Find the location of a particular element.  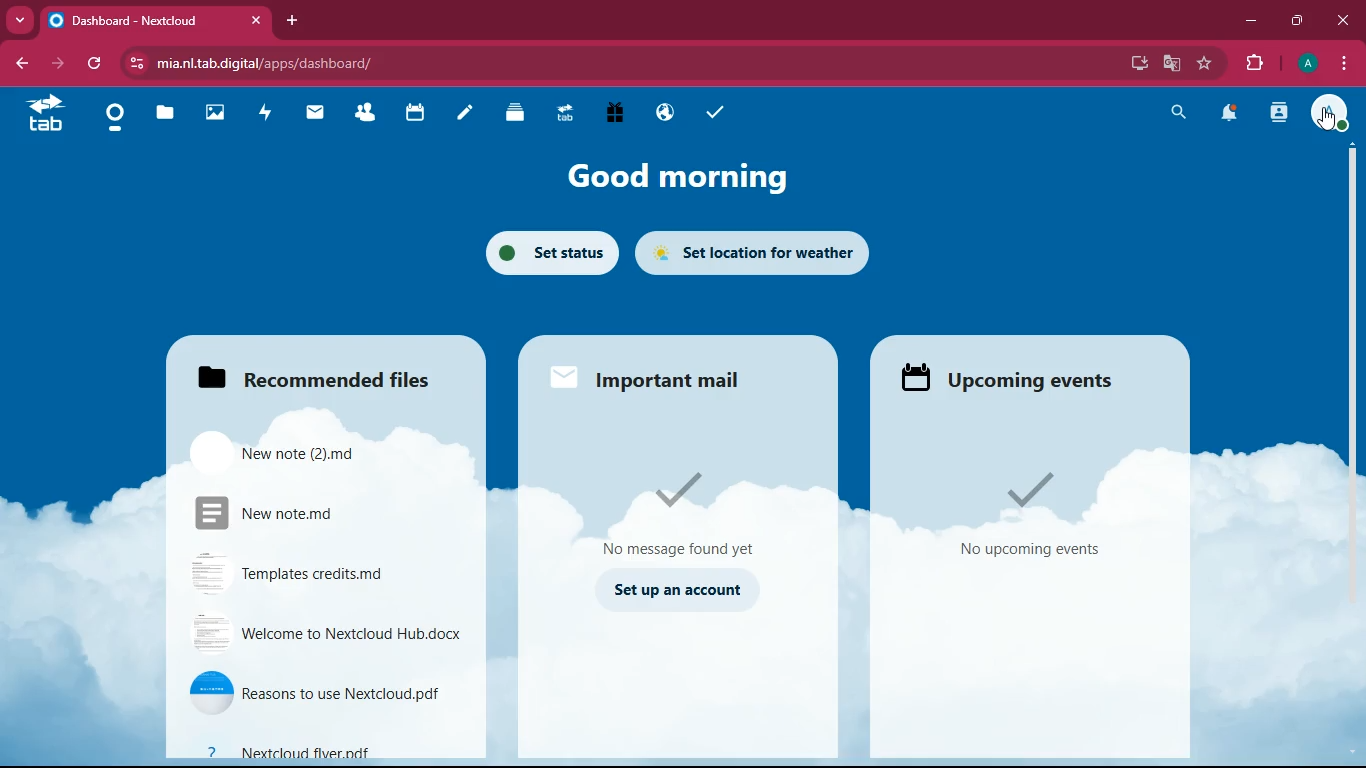

files is located at coordinates (167, 116).